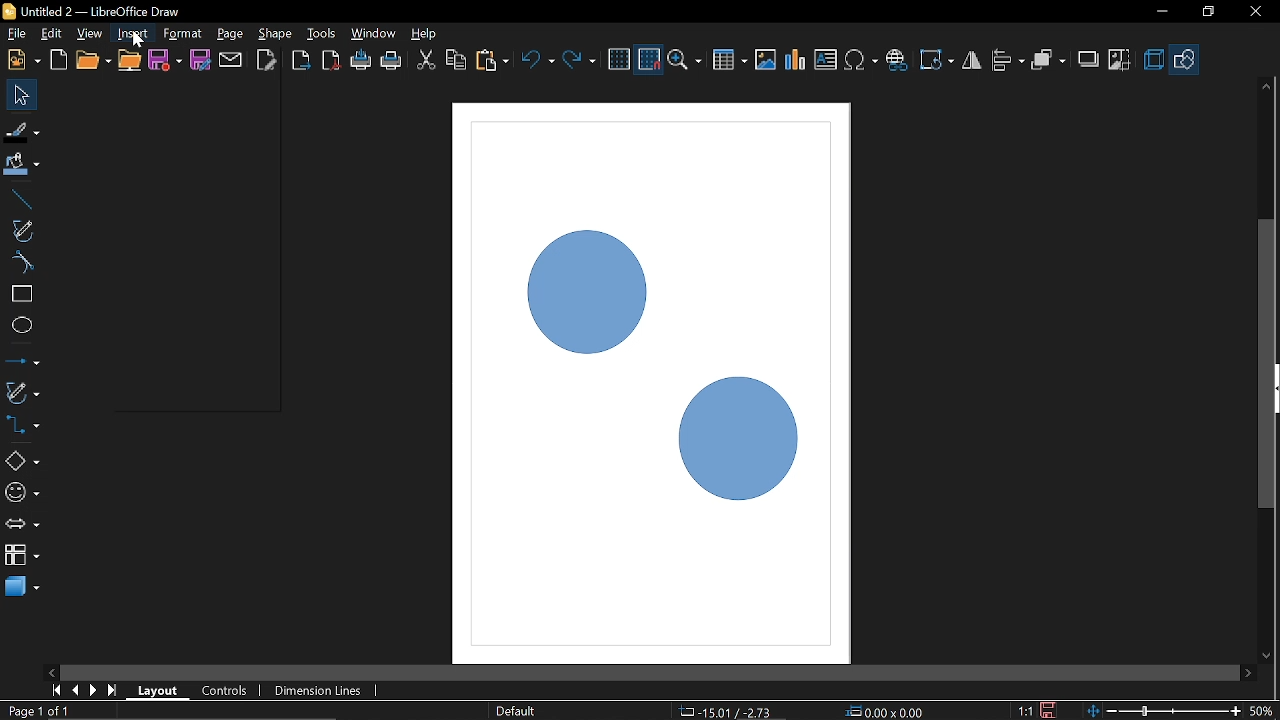 The height and width of the screenshot is (720, 1280). I want to click on Toggle edit mode, so click(268, 59).